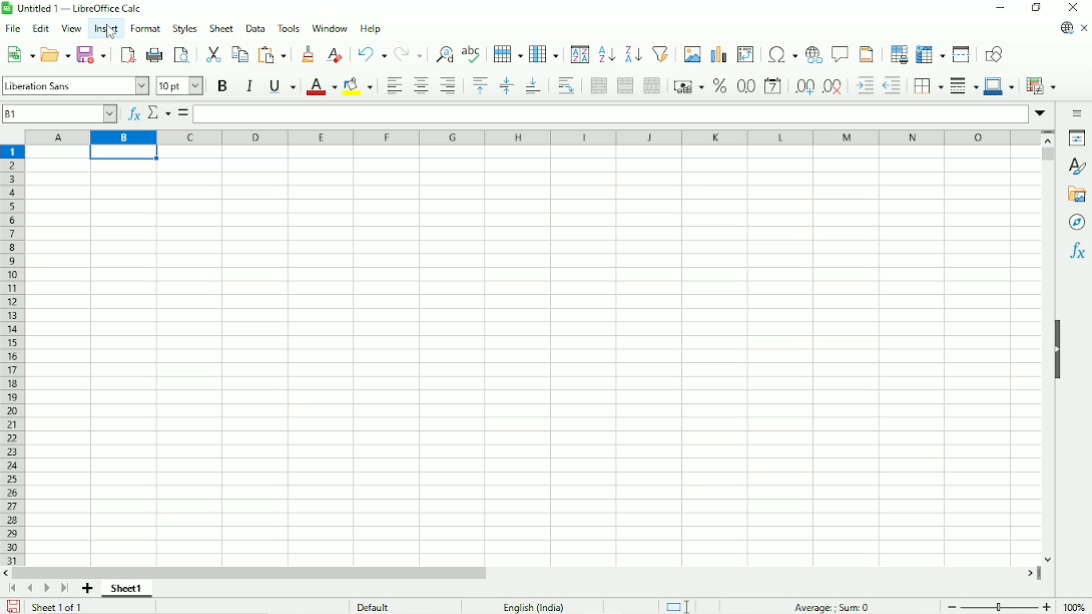 The height and width of the screenshot is (614, 1092). What do you see at coordinates (478, 86) in the screenshot?
I see `Align top` at bounding box center [478, 86].